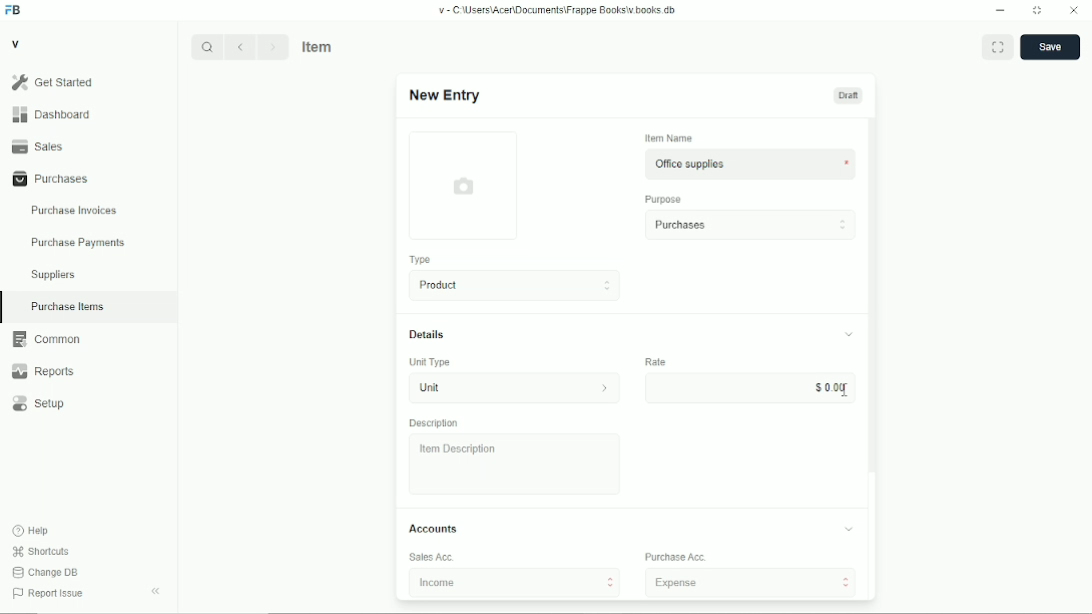 Image resolution: width=1092 pixels, height=614 pixels. What do you see at coordinates (515, 464) in the screenshot?
I see `item description` at bounding box center [515, 464].